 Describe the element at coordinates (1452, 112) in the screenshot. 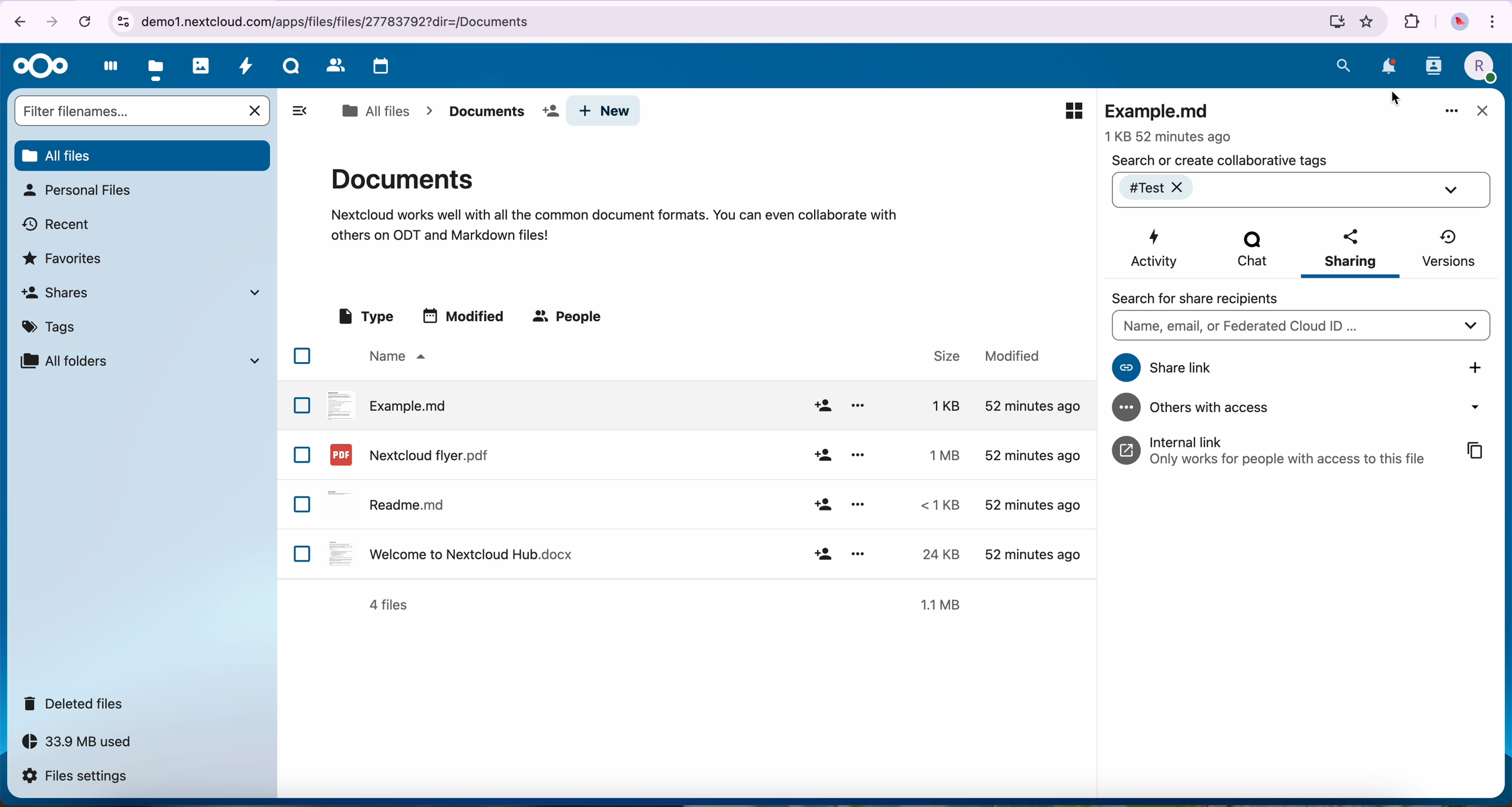

I see `more options` at that location.